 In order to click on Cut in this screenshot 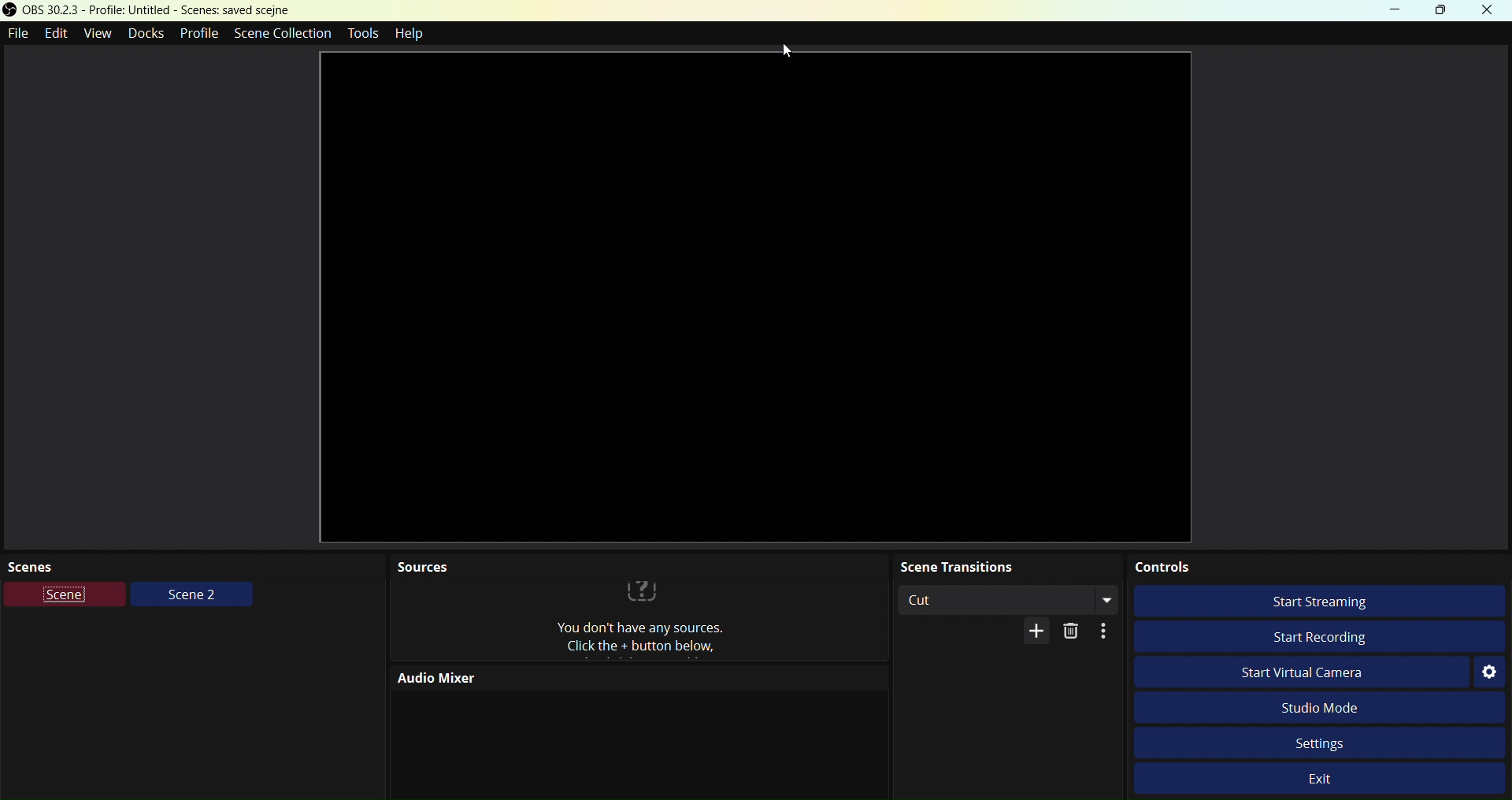, I will do `click(1007, 599)`.